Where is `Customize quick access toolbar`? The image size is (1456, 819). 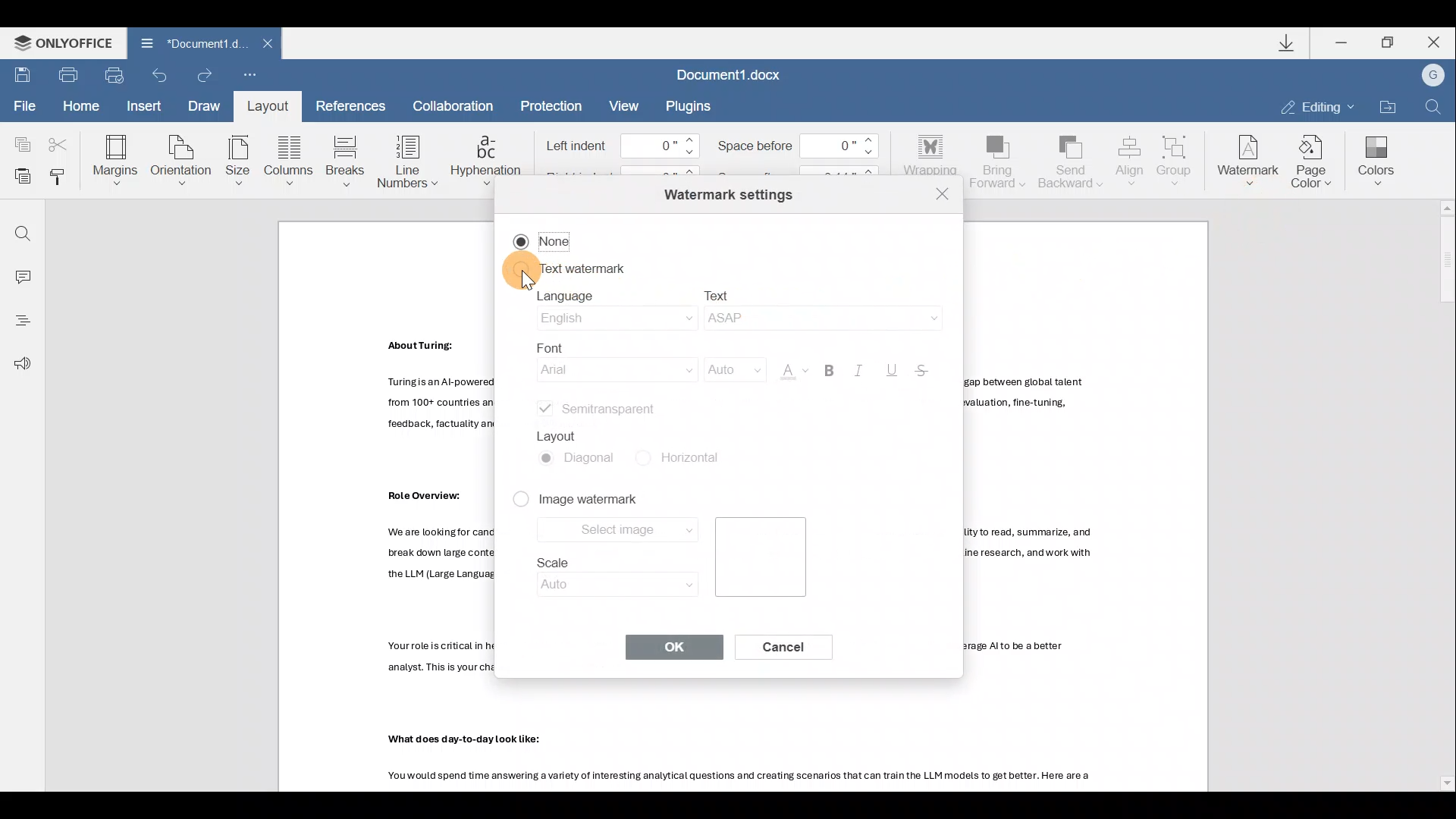
Customize quick access toolbar is located at coordinates (246, 76).